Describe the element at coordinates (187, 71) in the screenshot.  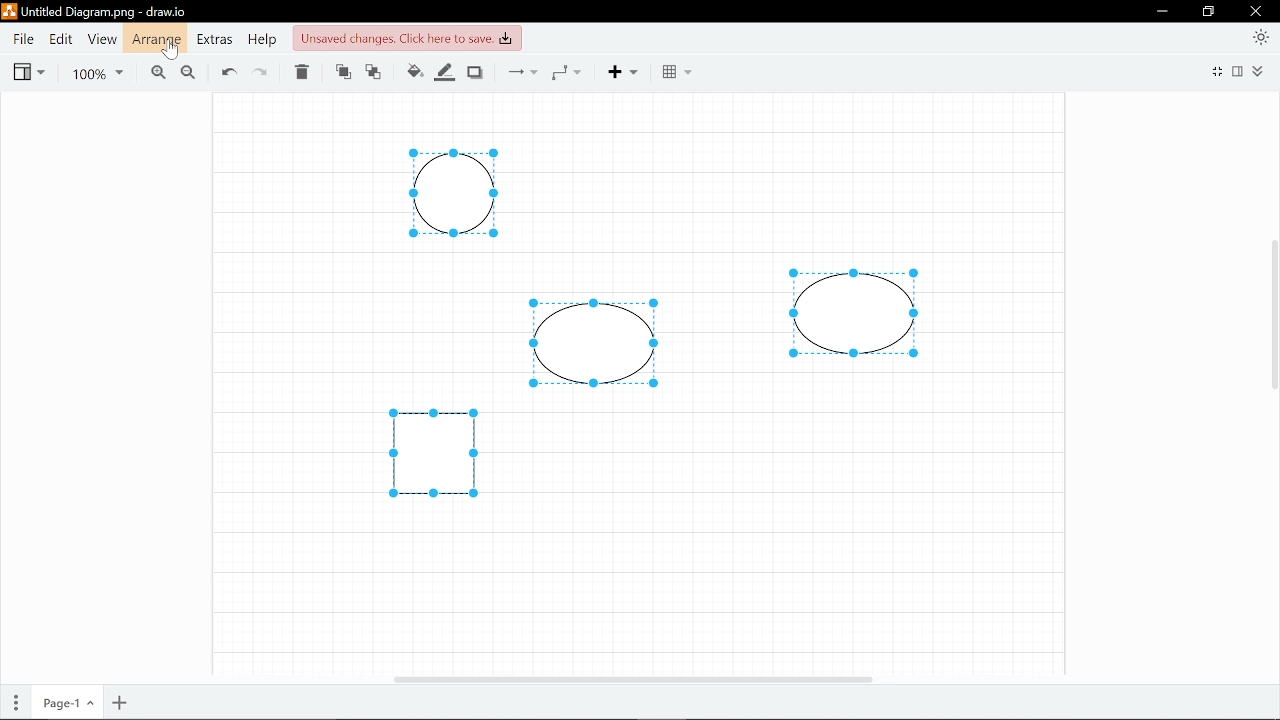
I see `Zoom out` at that location.